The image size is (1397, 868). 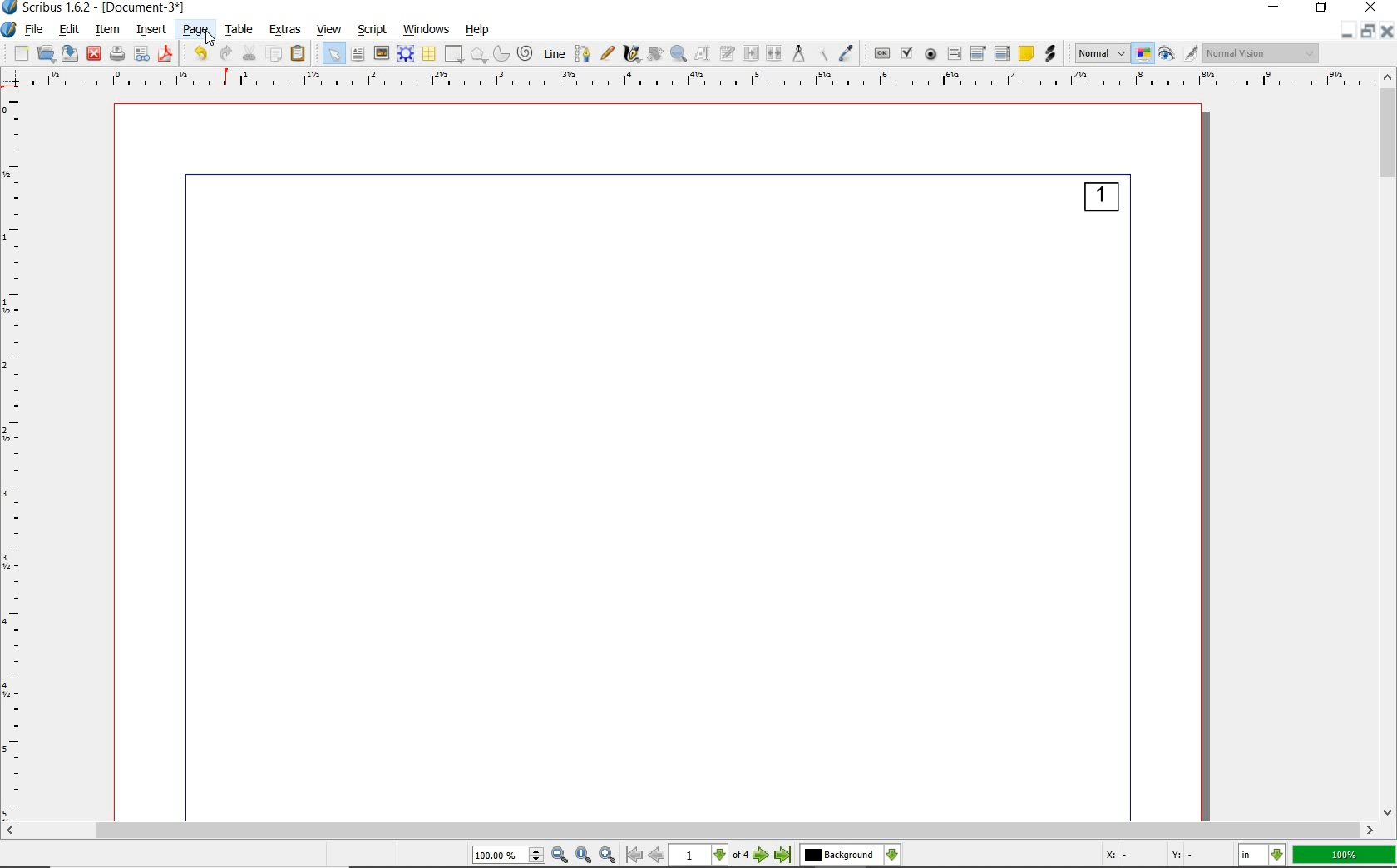 I want to click on spiral, so click(x=528, y=53).